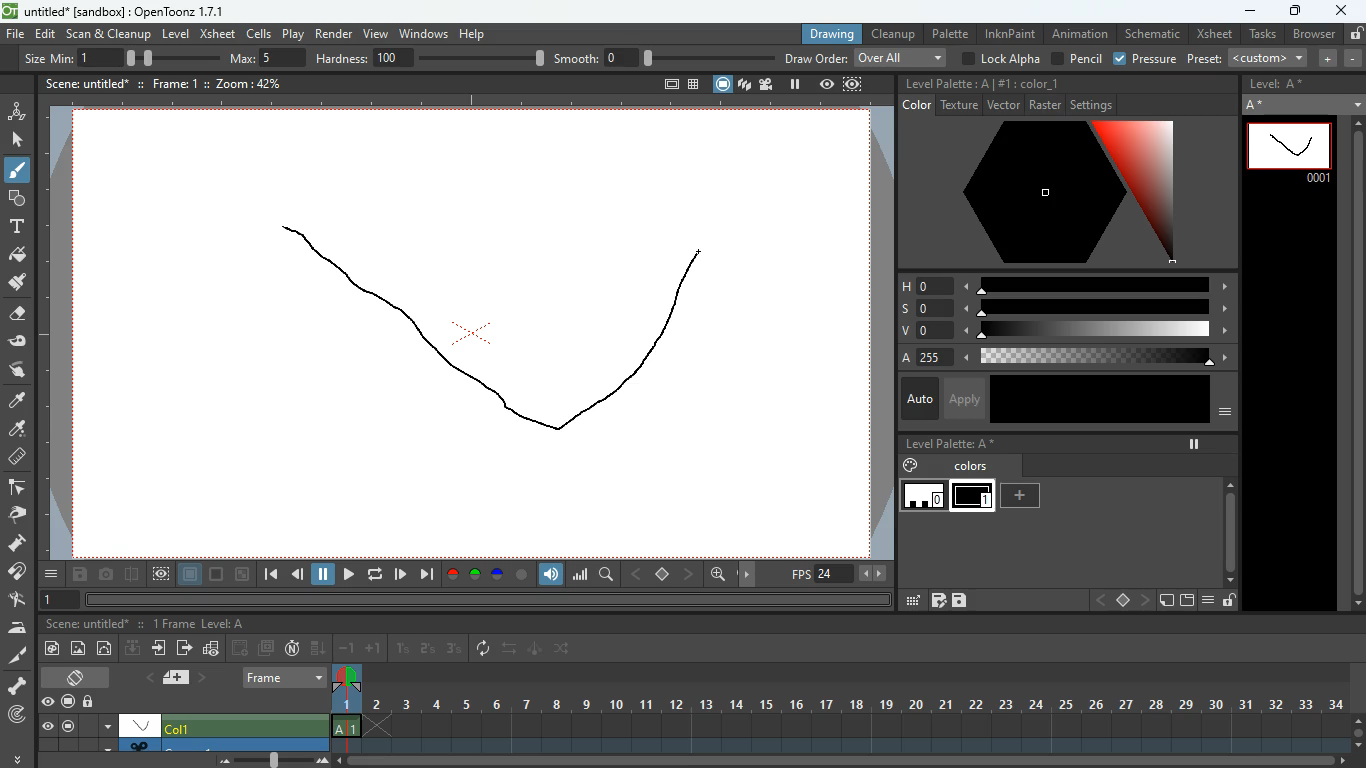 This screenshot has height=768, width=1366. What do you see at coordinates (67, 703) in the screenshot?
I see `record` at bounding box center [67, 703].